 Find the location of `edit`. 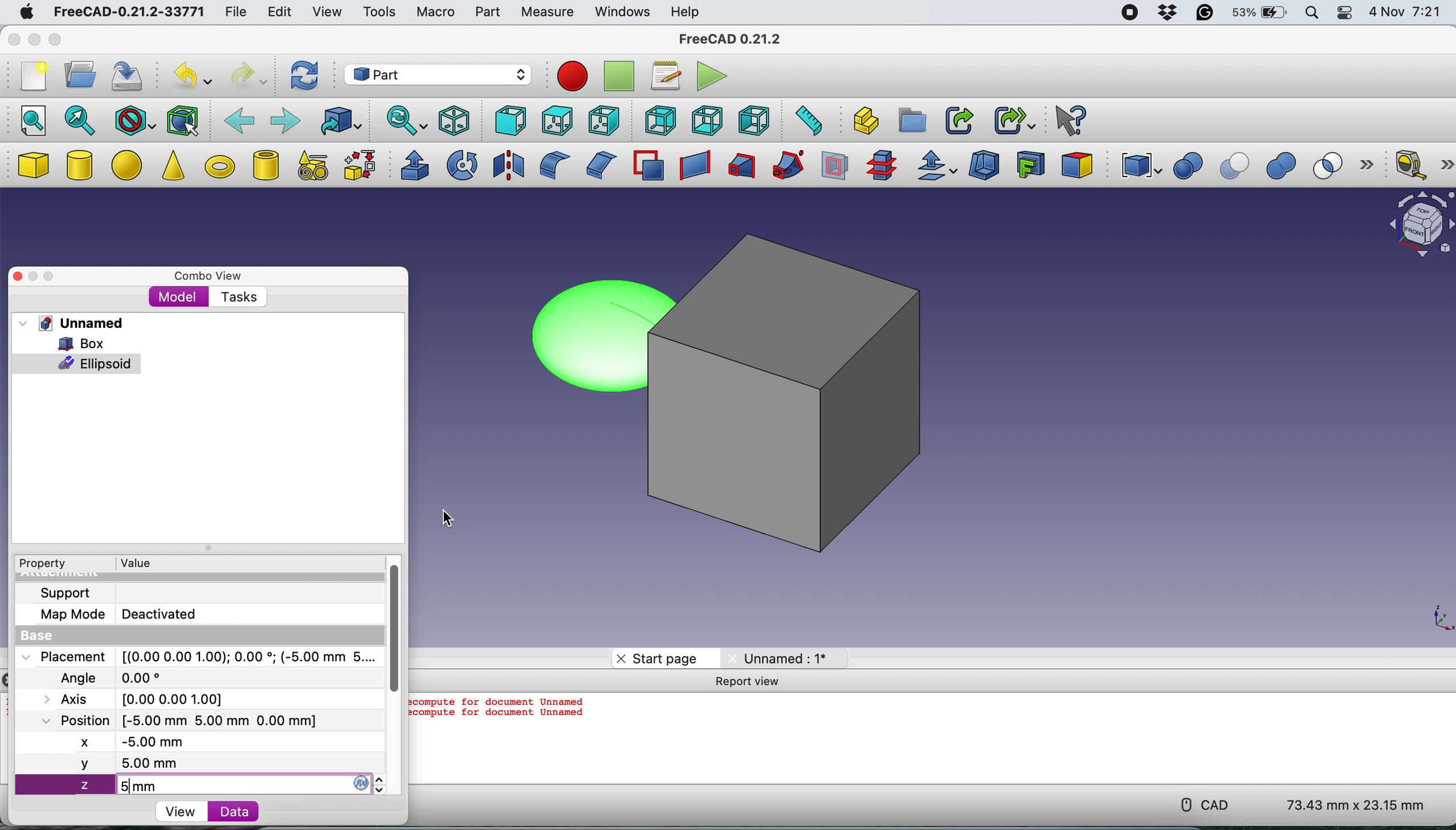

edit is located at coordinates (276, 13).